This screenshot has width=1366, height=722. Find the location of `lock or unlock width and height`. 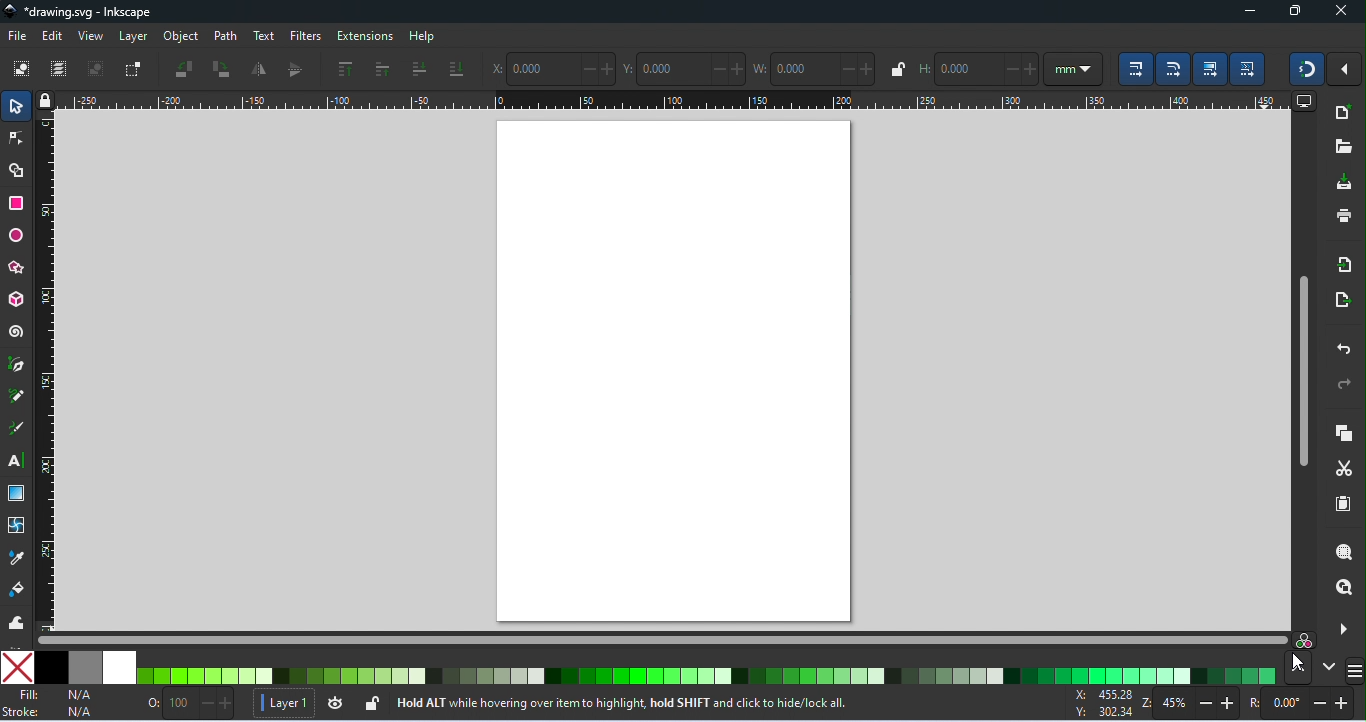

lock or unlock width and height is located at coordinates (896, 69).